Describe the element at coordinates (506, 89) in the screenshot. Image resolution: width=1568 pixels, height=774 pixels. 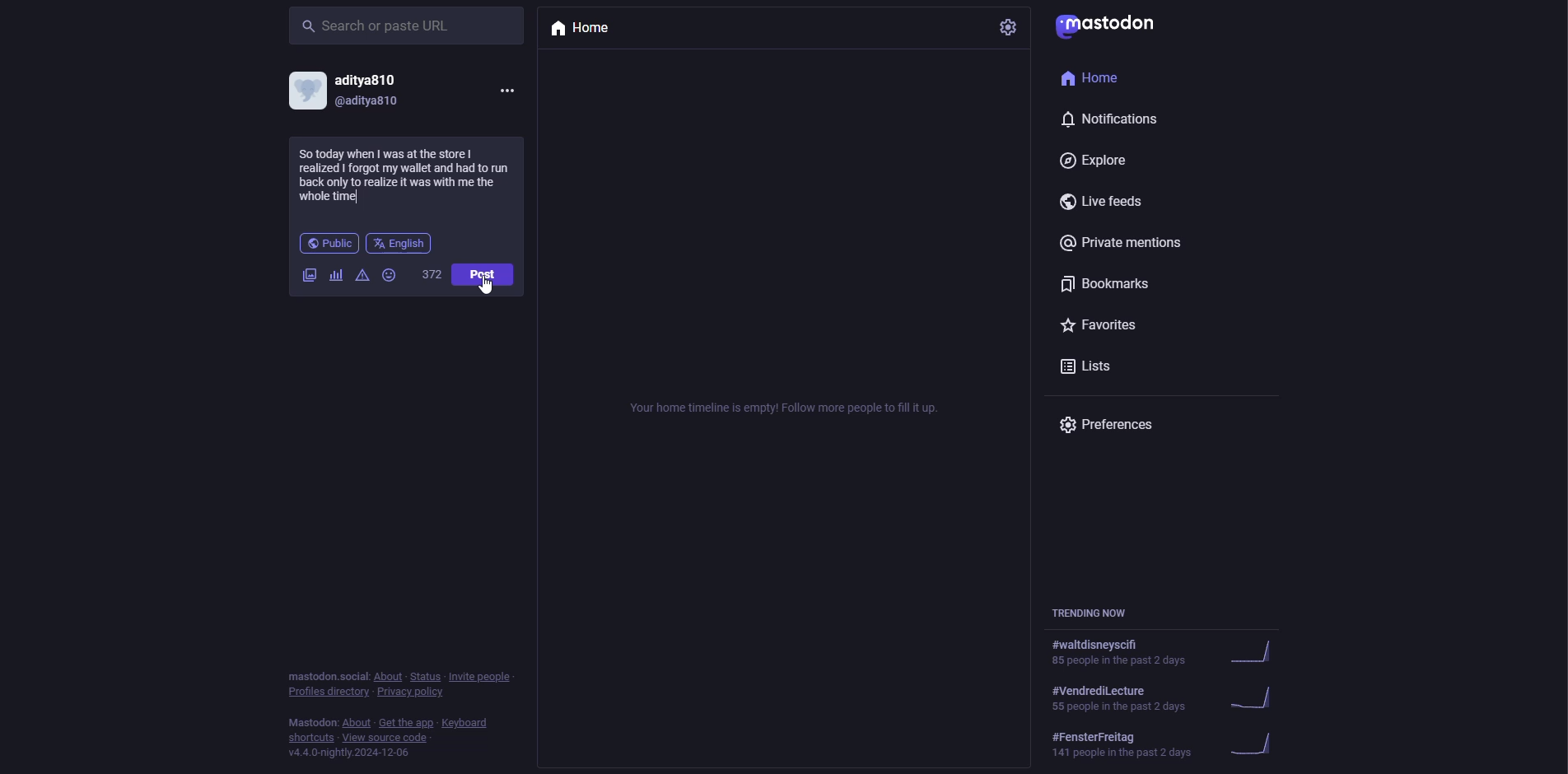
I see `more` at that location.